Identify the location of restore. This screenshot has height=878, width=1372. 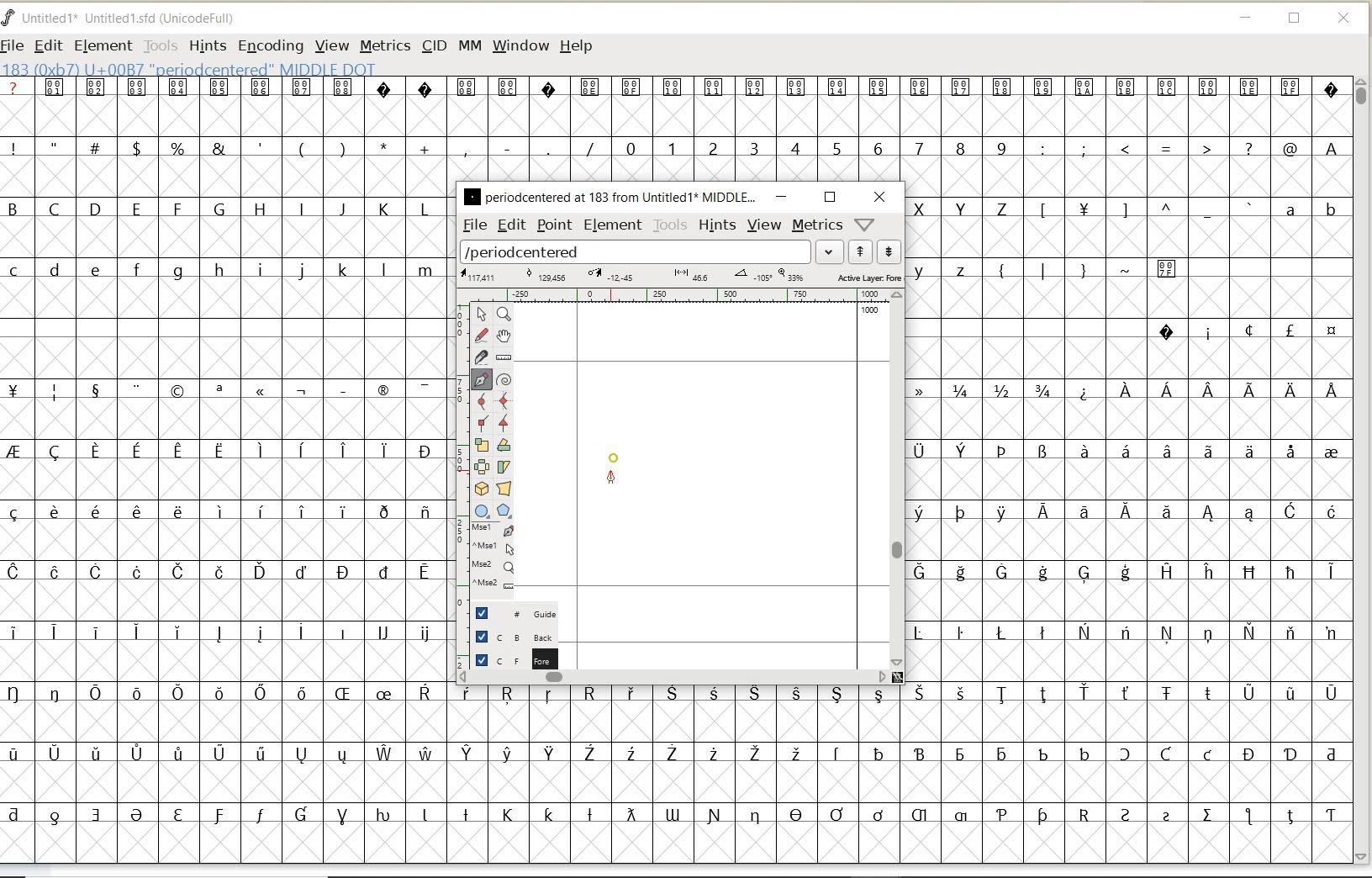
(830, 196).